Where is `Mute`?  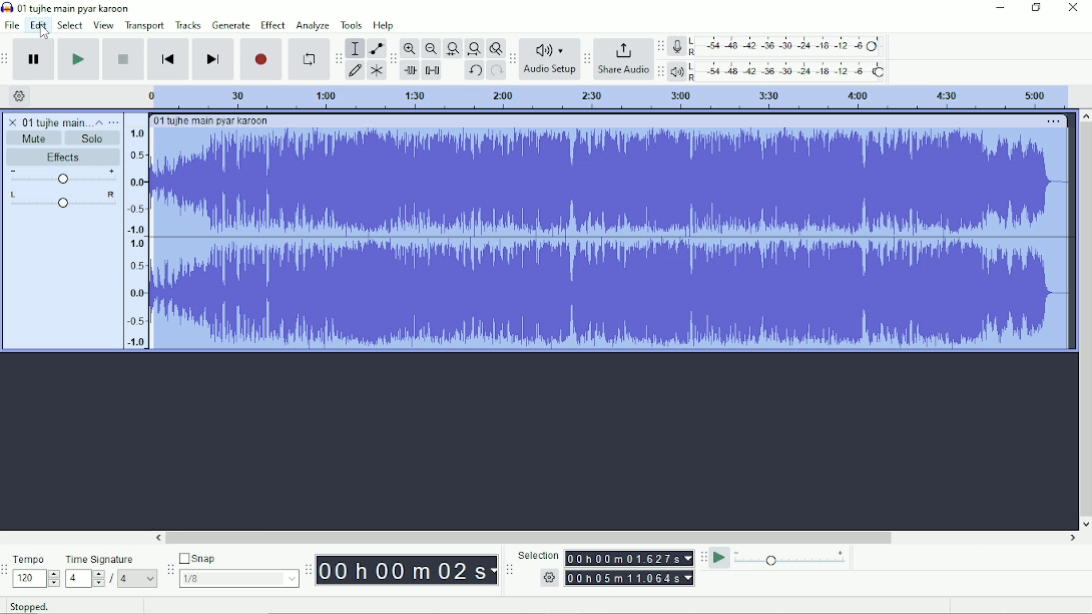
Mute is located at coordinates (35, 138).